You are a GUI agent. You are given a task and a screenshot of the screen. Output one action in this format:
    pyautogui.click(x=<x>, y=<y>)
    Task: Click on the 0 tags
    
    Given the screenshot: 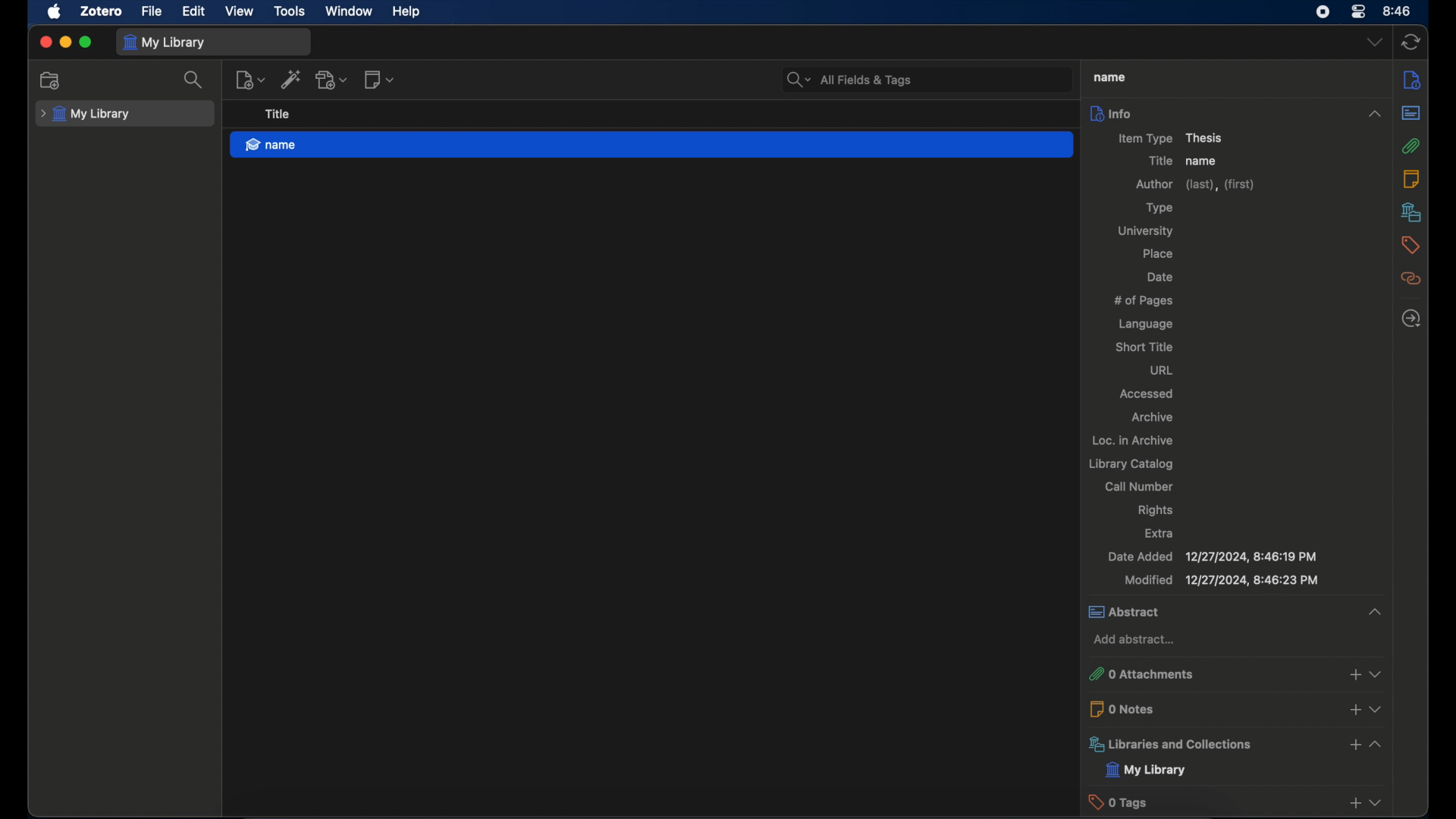 What is the action you would take?
    pyautogui.click(x=1210, y=802)
    